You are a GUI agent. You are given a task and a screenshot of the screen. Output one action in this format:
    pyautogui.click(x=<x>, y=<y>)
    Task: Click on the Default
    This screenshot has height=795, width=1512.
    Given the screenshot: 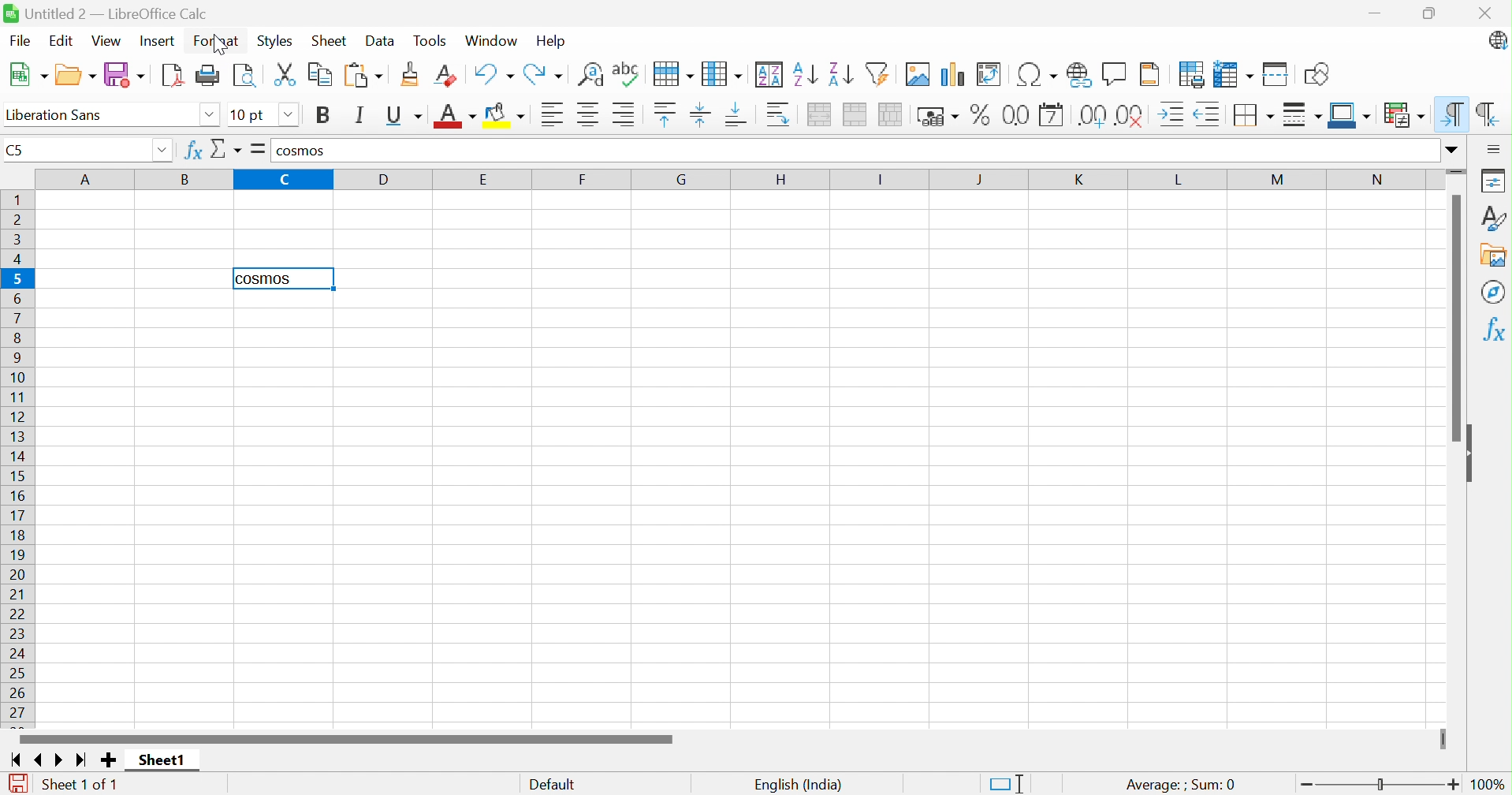 What is the action you would take?
    pyautogui.click(x=553, y=785)
    